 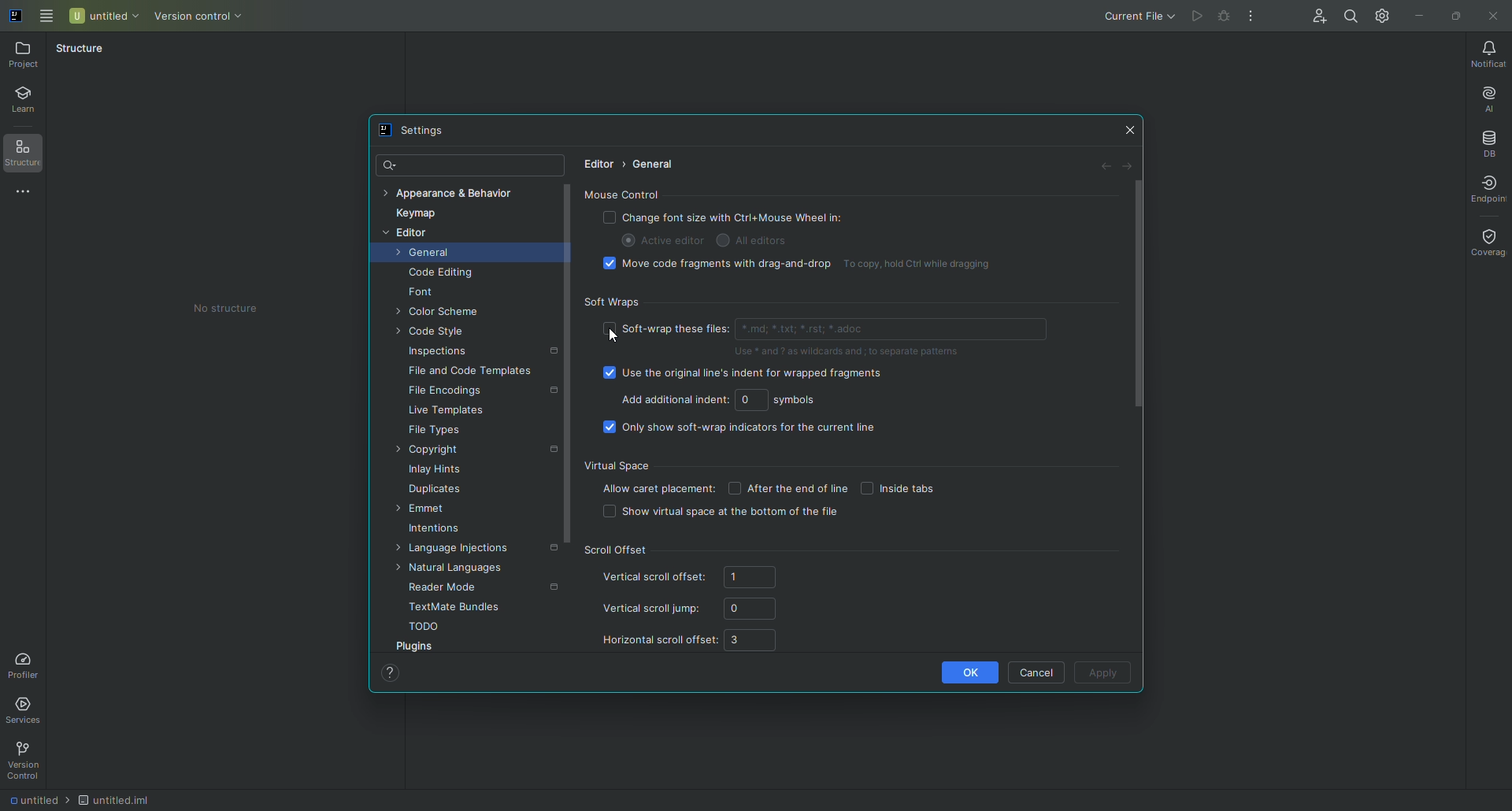 I want to click on Reader Mode, so click(x=445, y=587).